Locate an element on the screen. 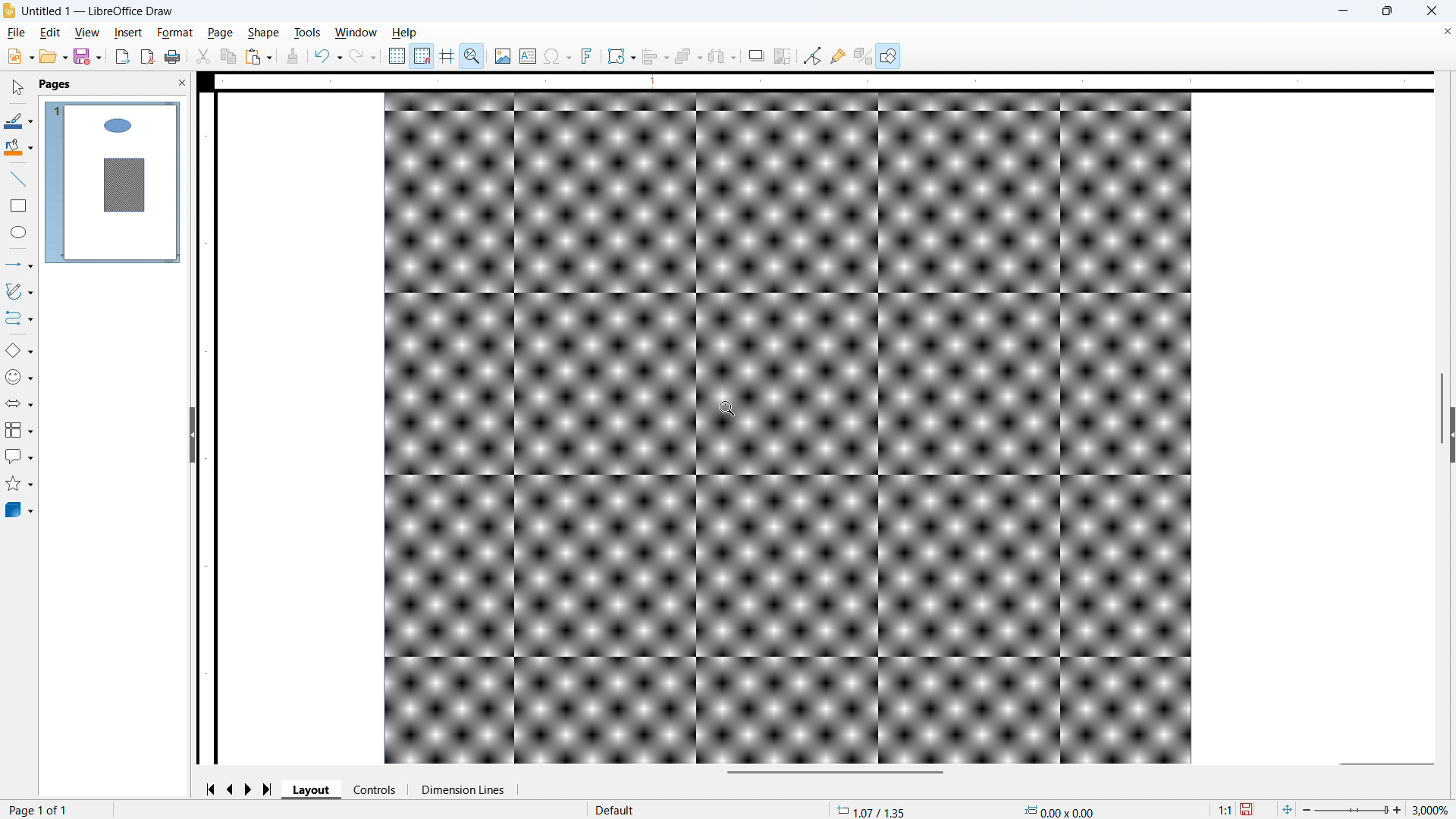 This screenshot has height=819, width=1456. Go to last page  is located at coordinates (268, 789).